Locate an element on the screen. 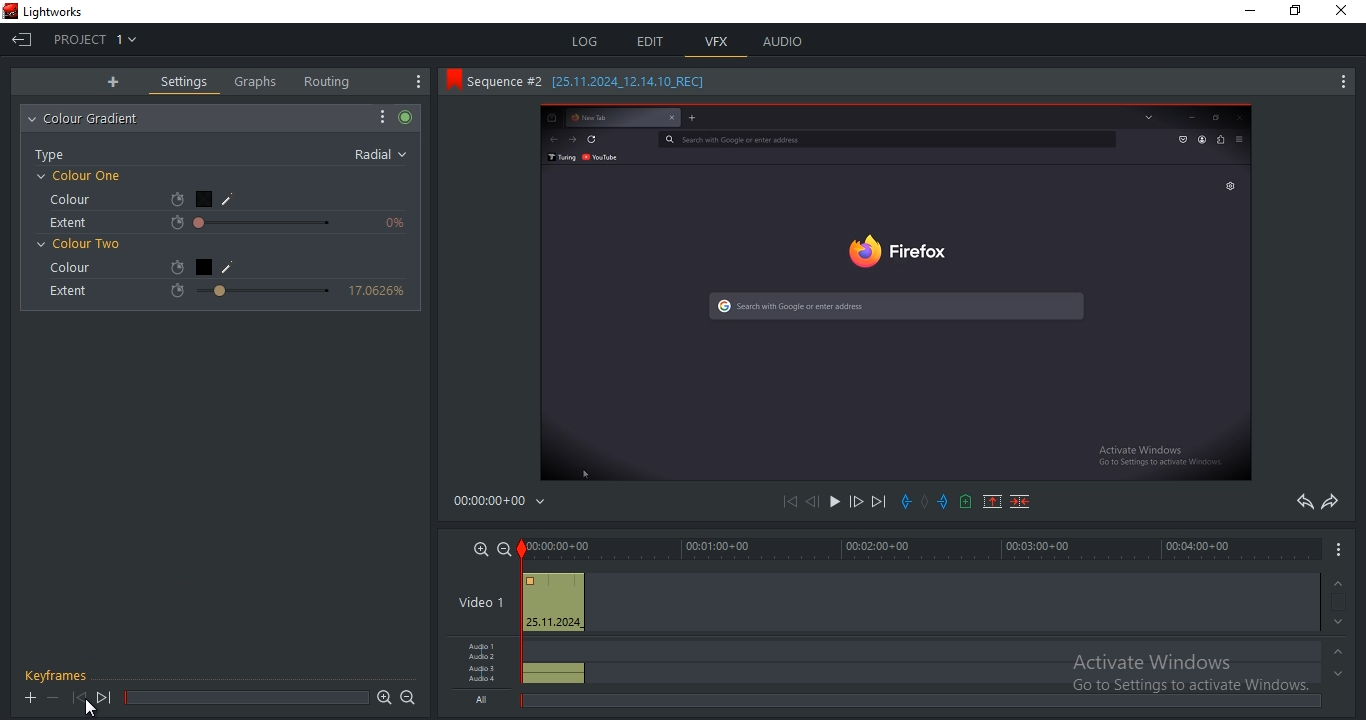 This screenshot has width=1366, height=720. Audio clip is located at coordinates (556, 681).